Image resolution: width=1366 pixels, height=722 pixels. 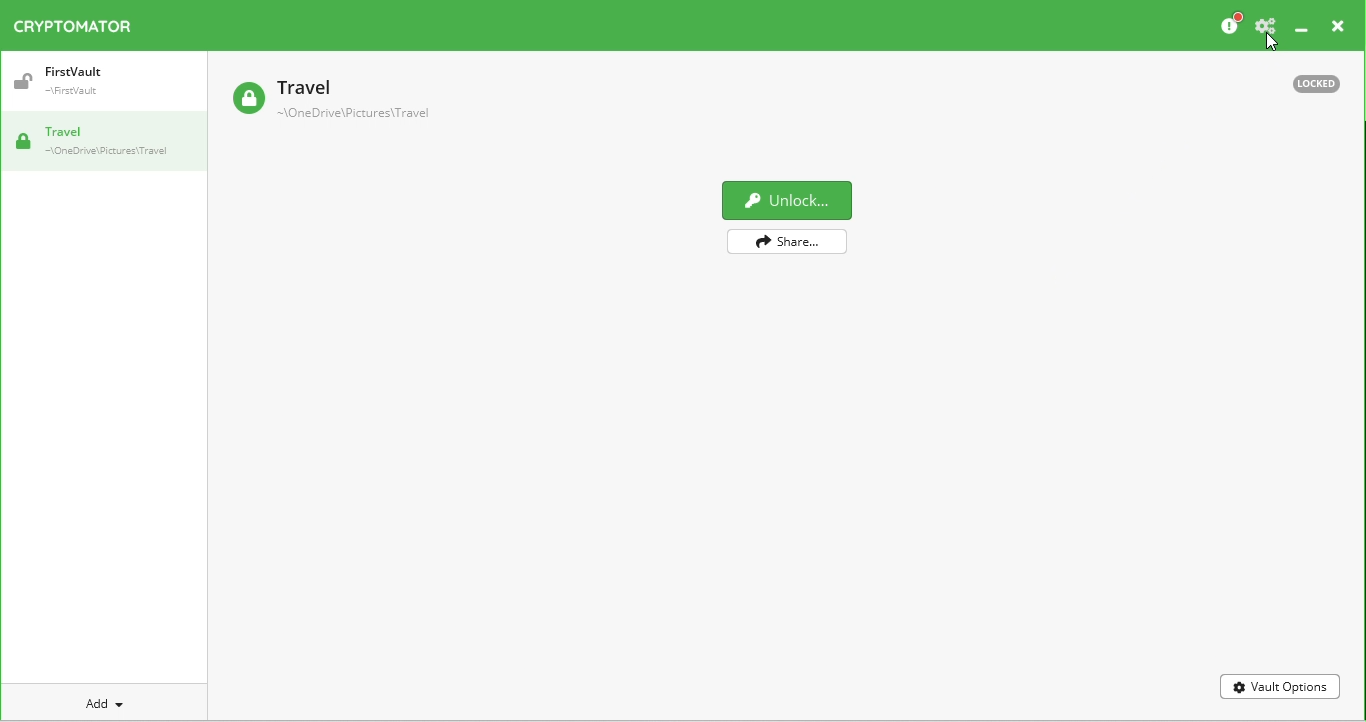 What do you see at coordinates (1300, 29) in the screenshot?
I see `Minimize` at bounding box center [1300, 29].